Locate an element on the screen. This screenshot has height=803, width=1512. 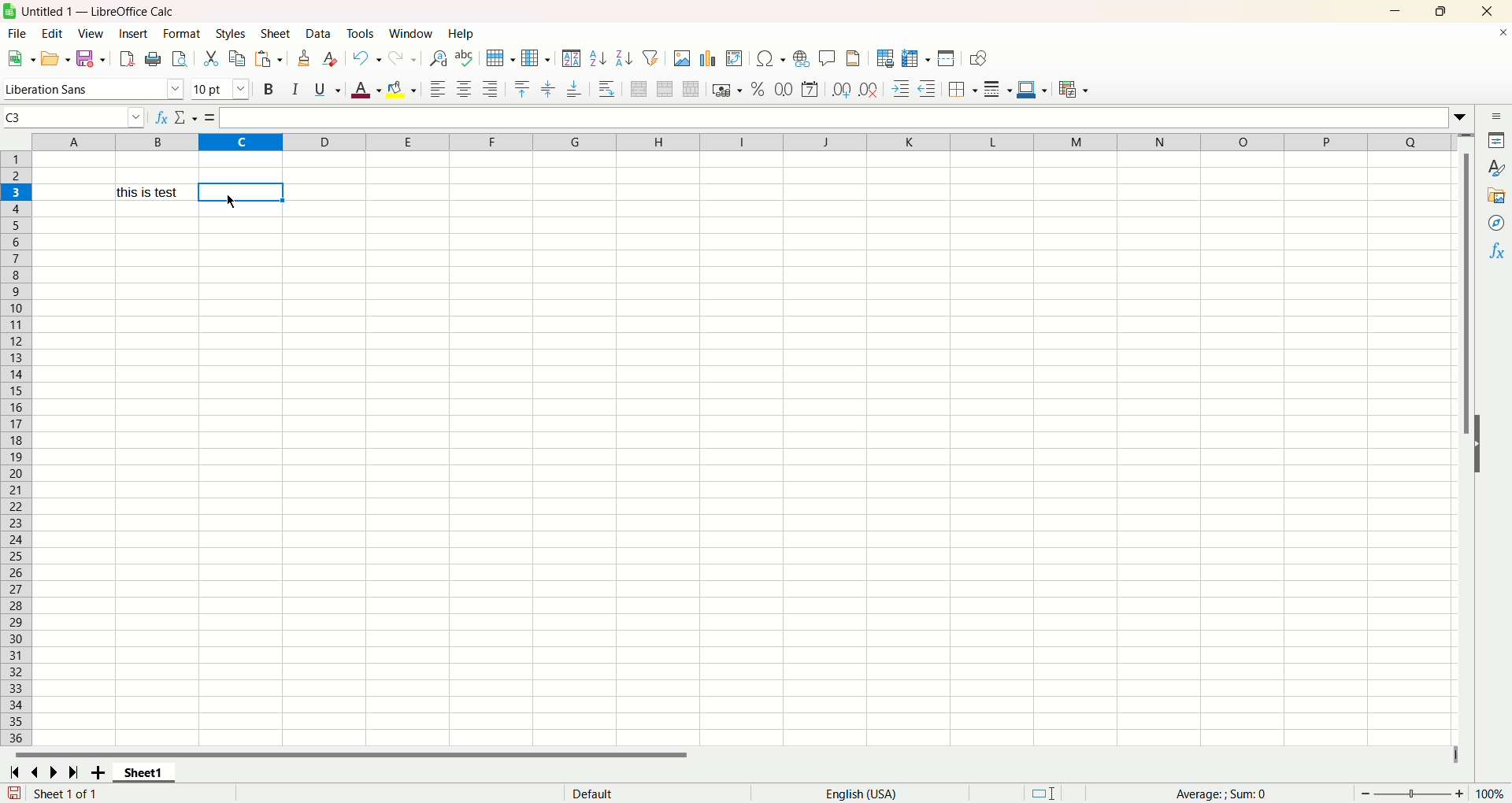
Maximize is located at coordinates (1440, 12).